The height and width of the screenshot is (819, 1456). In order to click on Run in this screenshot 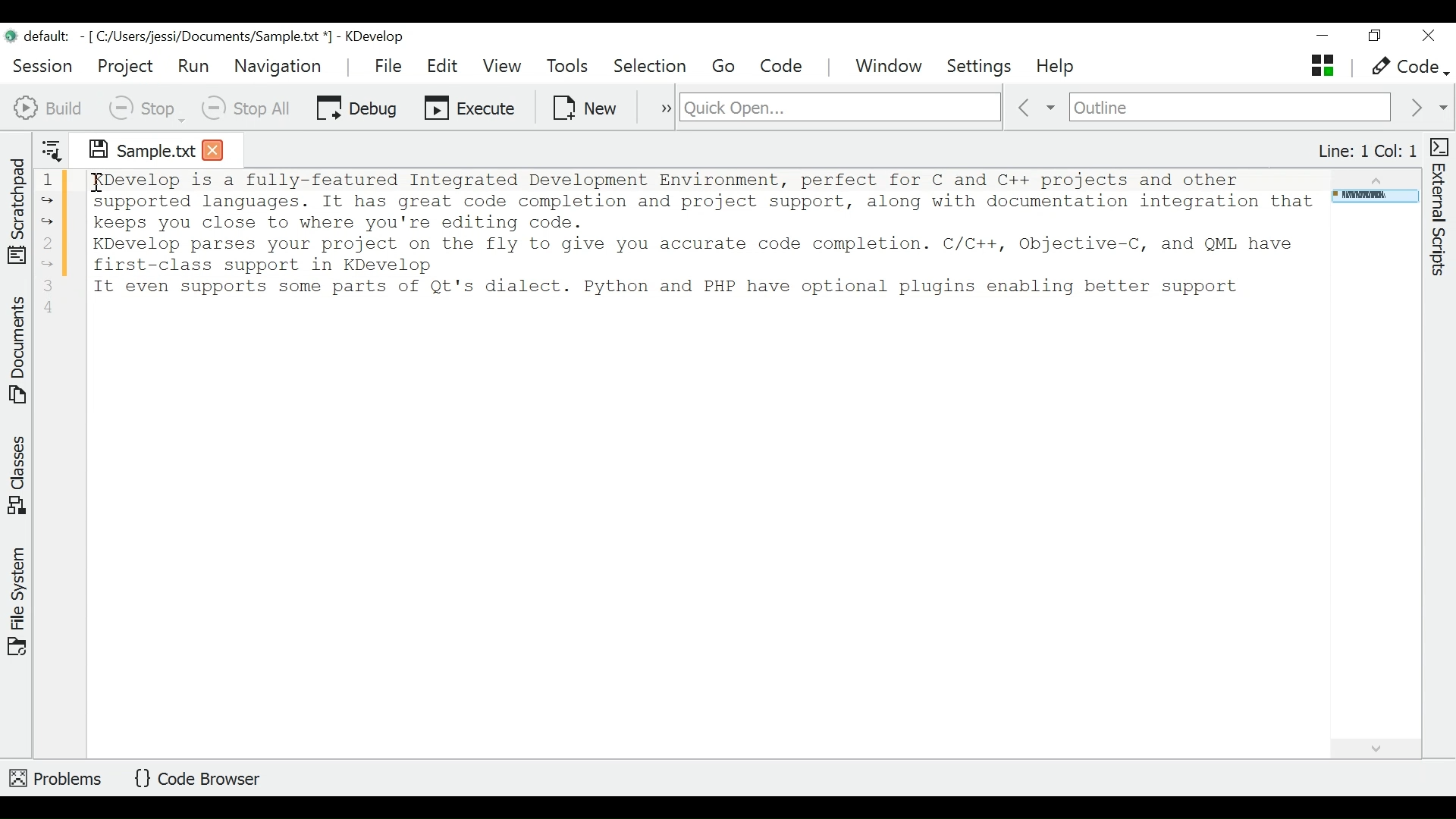, I will do `click(193, 65)`.